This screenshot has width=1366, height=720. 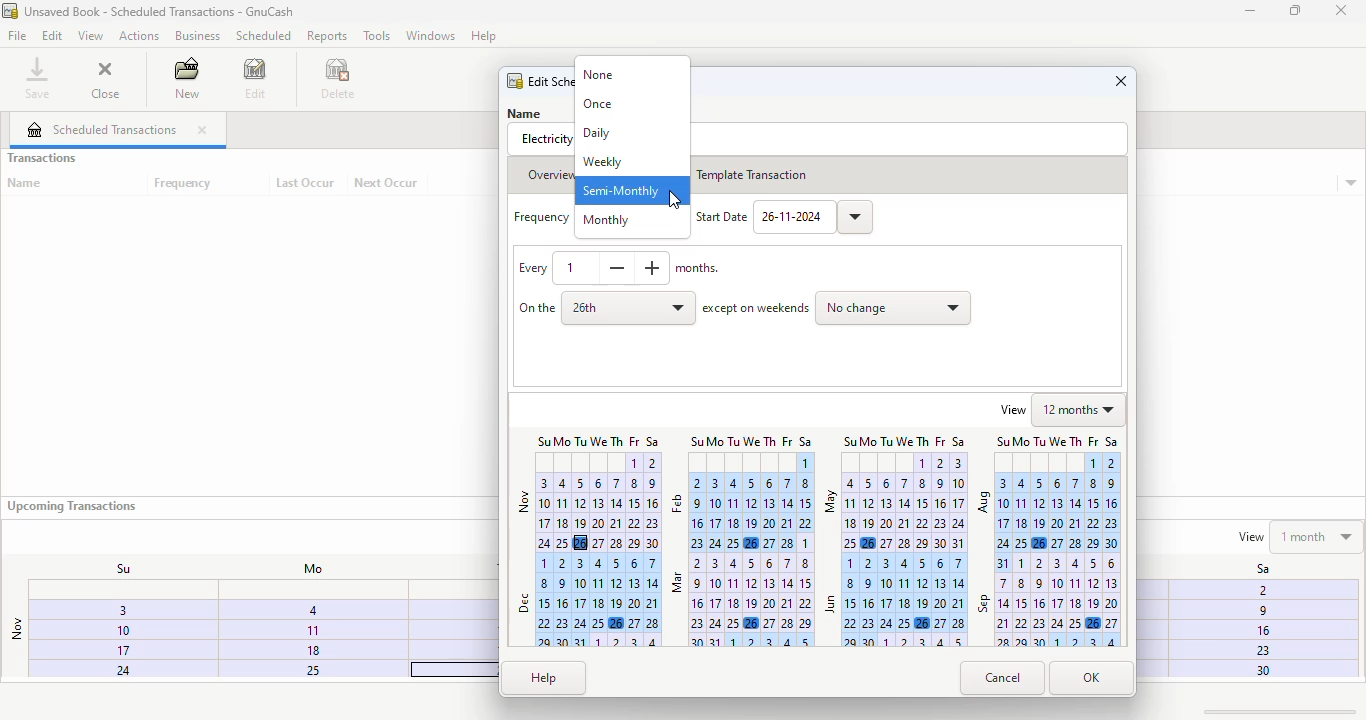 What do you see at coordinates (256, 78) in the screenshot?
I see `edit` at bounding box center [256, 78].